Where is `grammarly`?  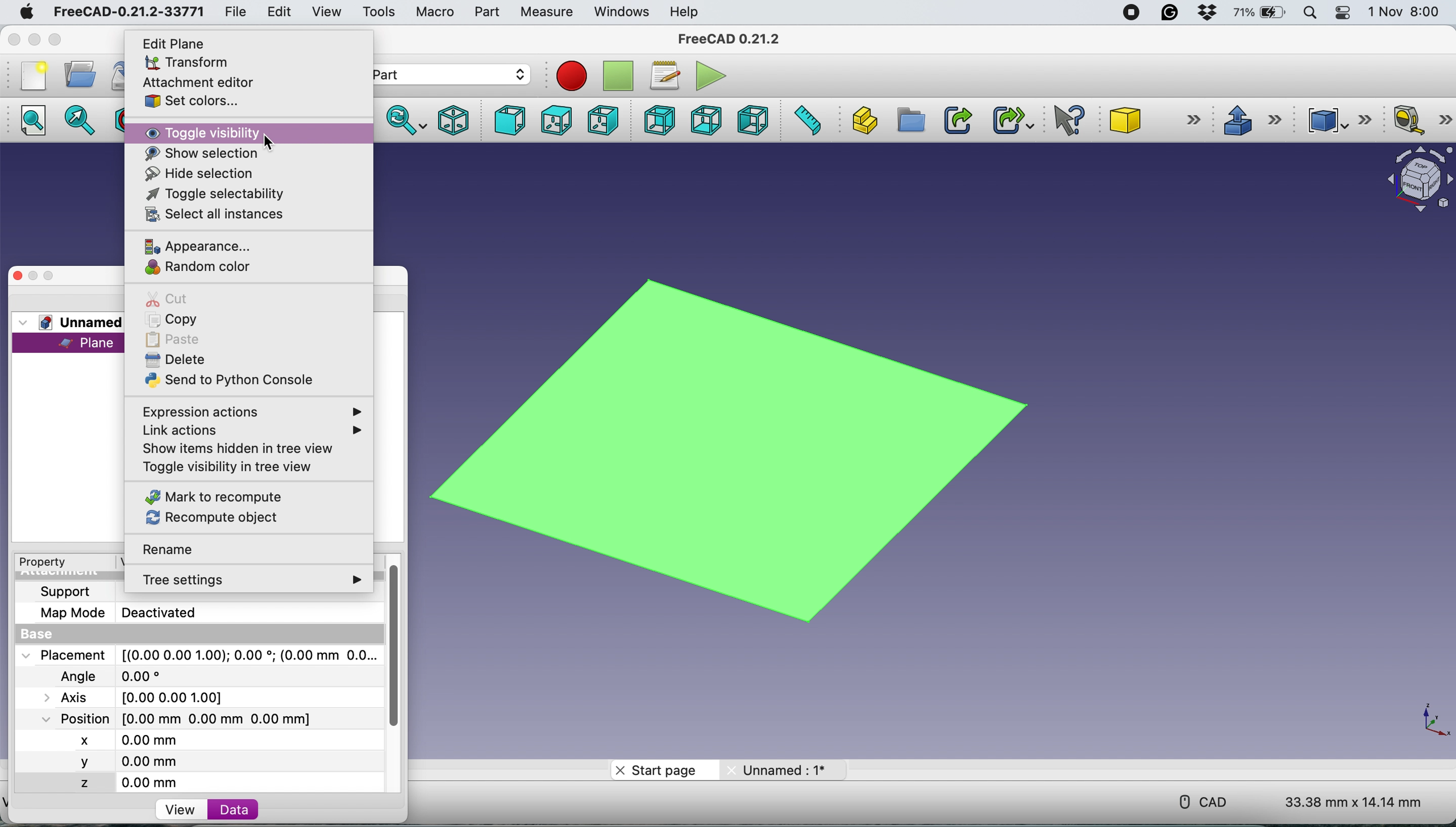 grammarly is located at coordinates (1170, 14).